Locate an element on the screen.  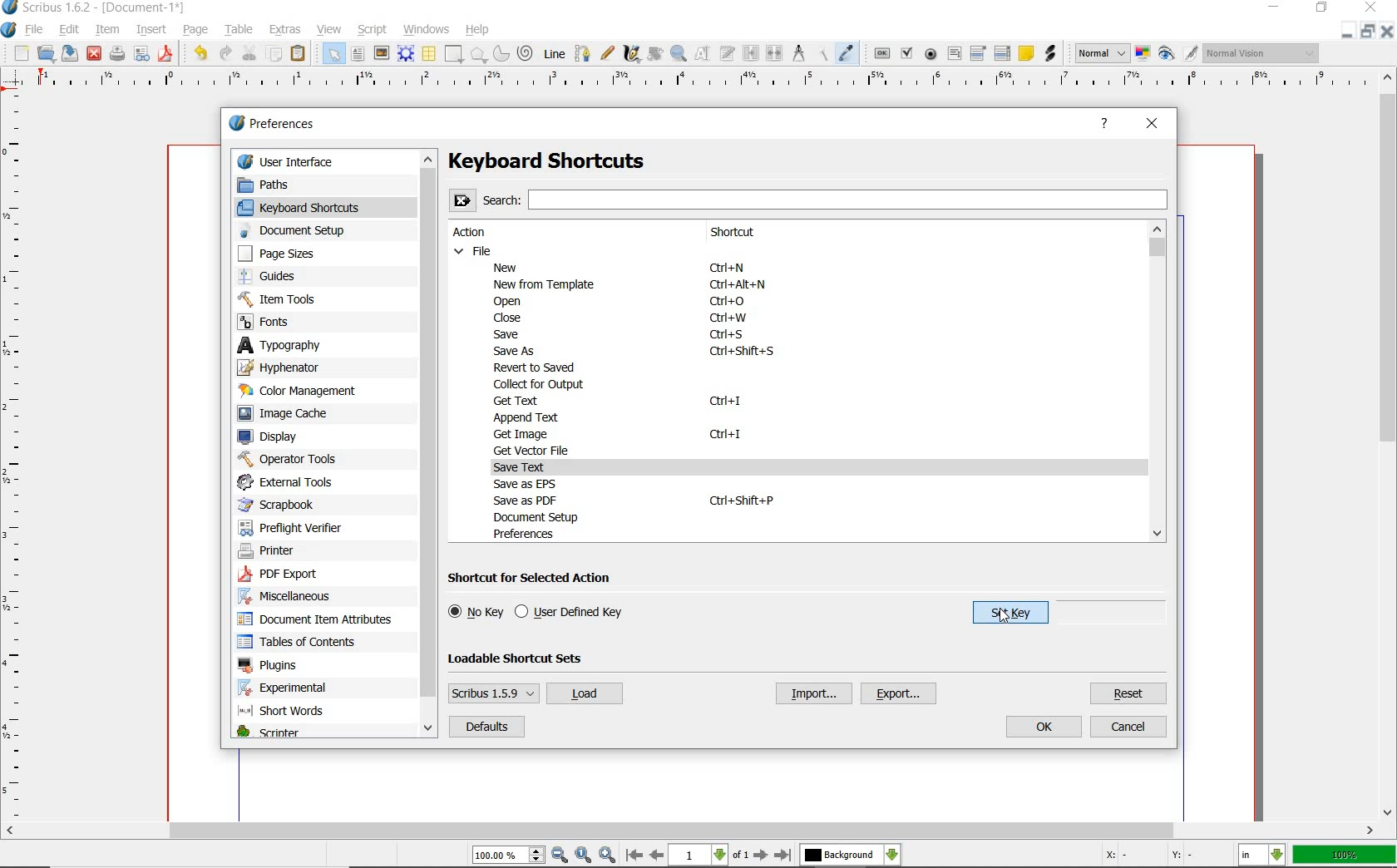
mouse pointer is located at coordinates (1005, 614).